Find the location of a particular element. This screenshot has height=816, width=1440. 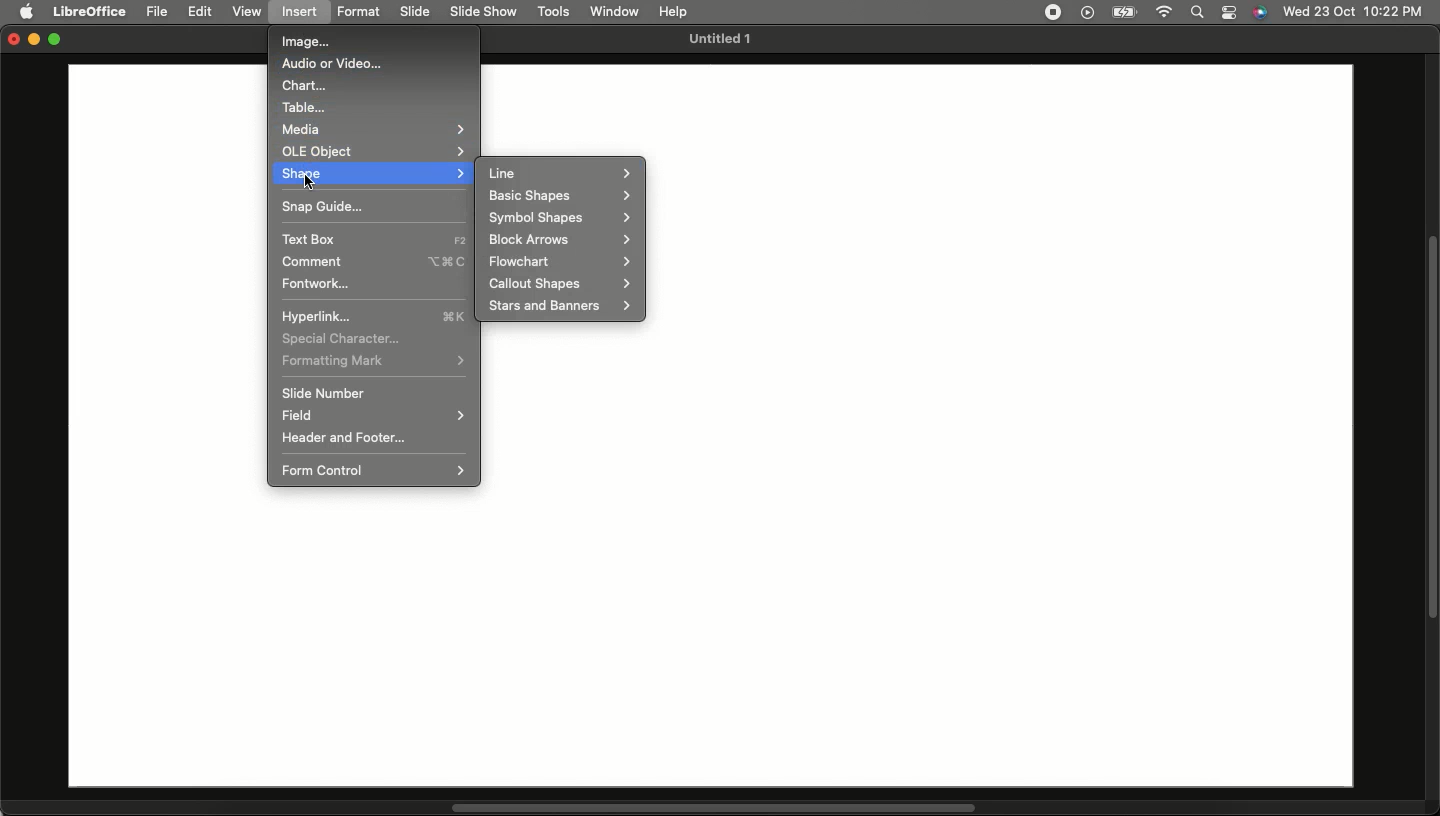

Video player is located at coordinates (1085, 13).